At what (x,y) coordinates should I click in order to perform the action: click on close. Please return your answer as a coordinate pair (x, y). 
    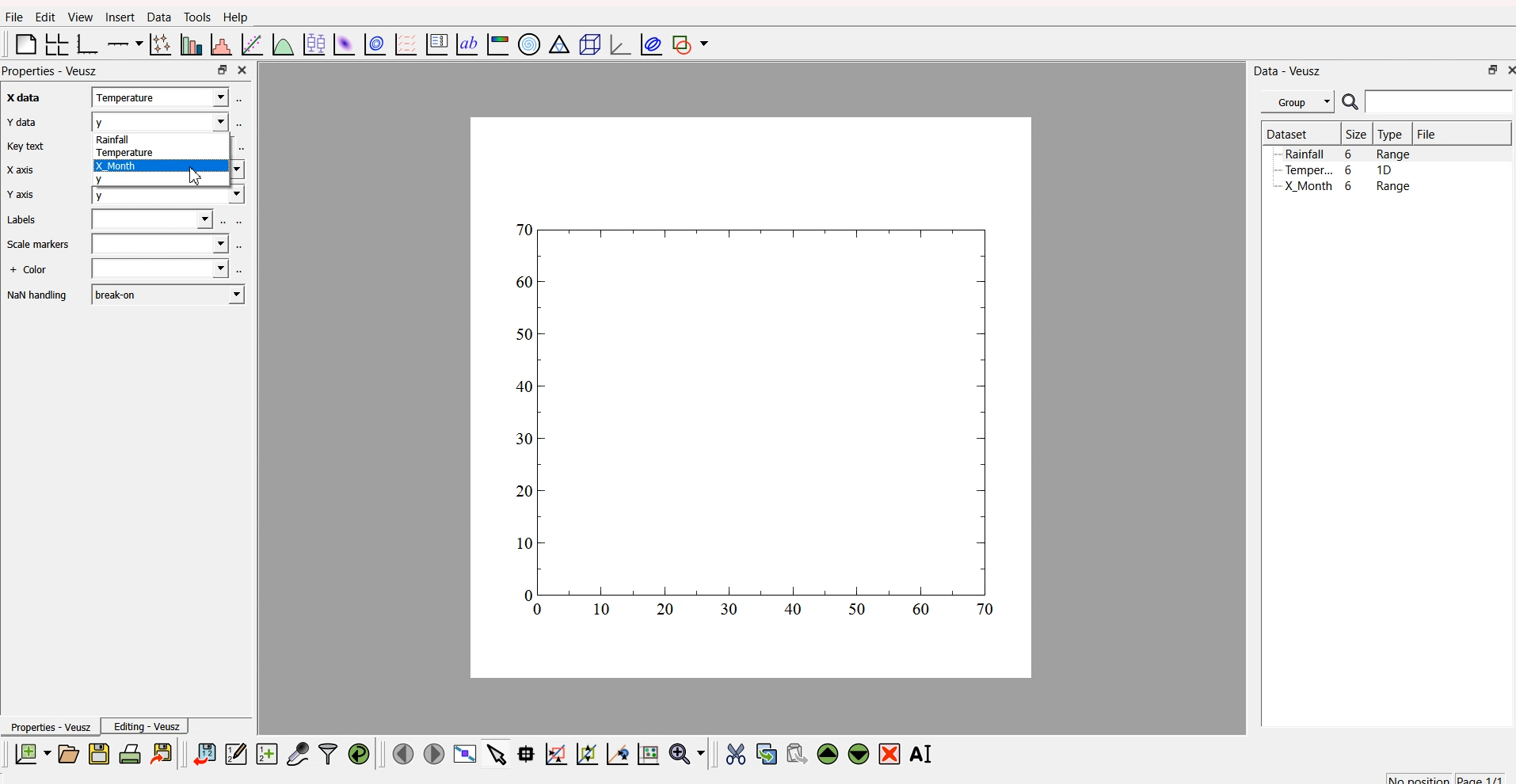
    Looking at the image, I should click on (1508, 71).